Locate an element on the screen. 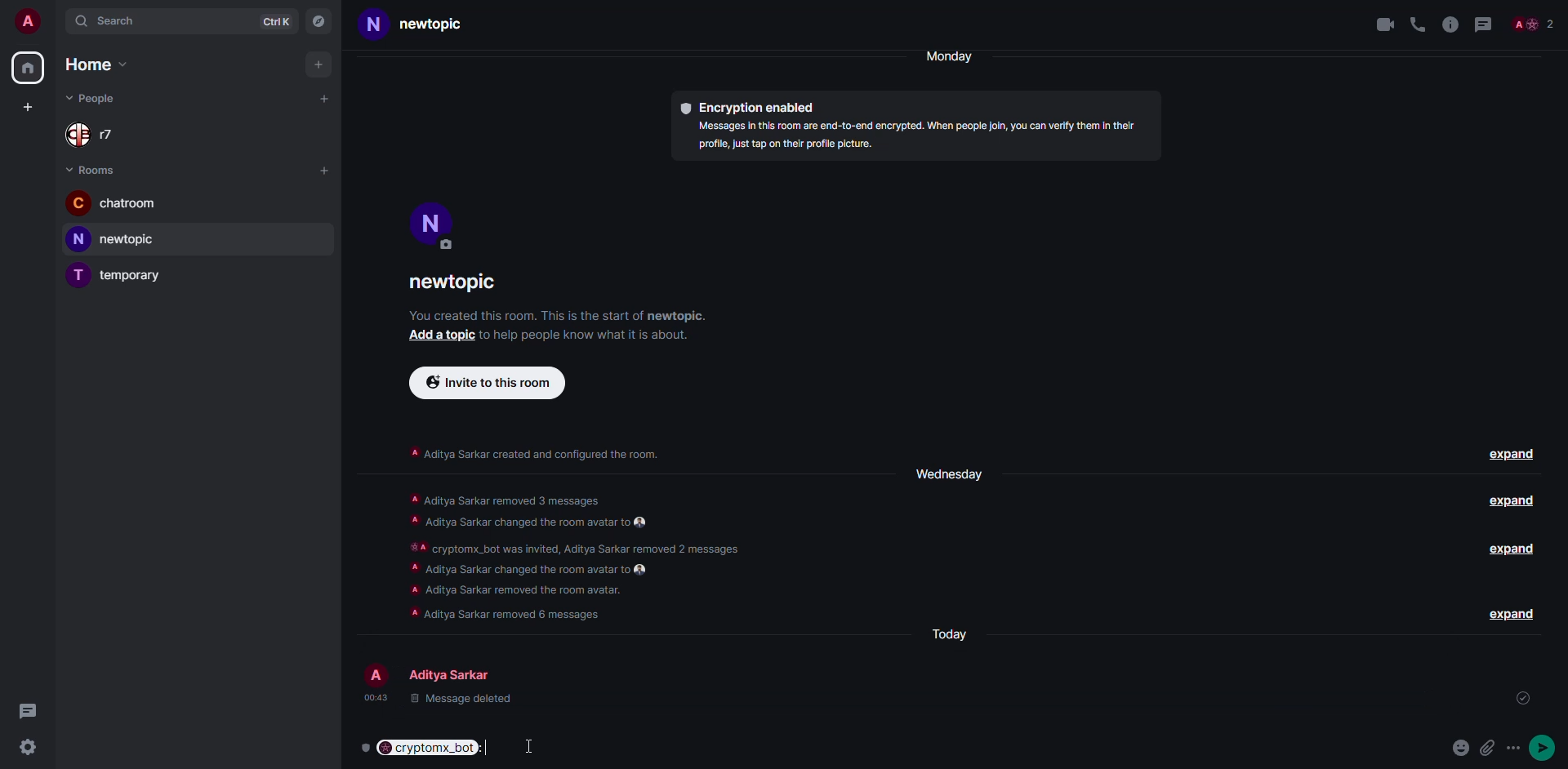  navigator is located at coordinates (320, 21).